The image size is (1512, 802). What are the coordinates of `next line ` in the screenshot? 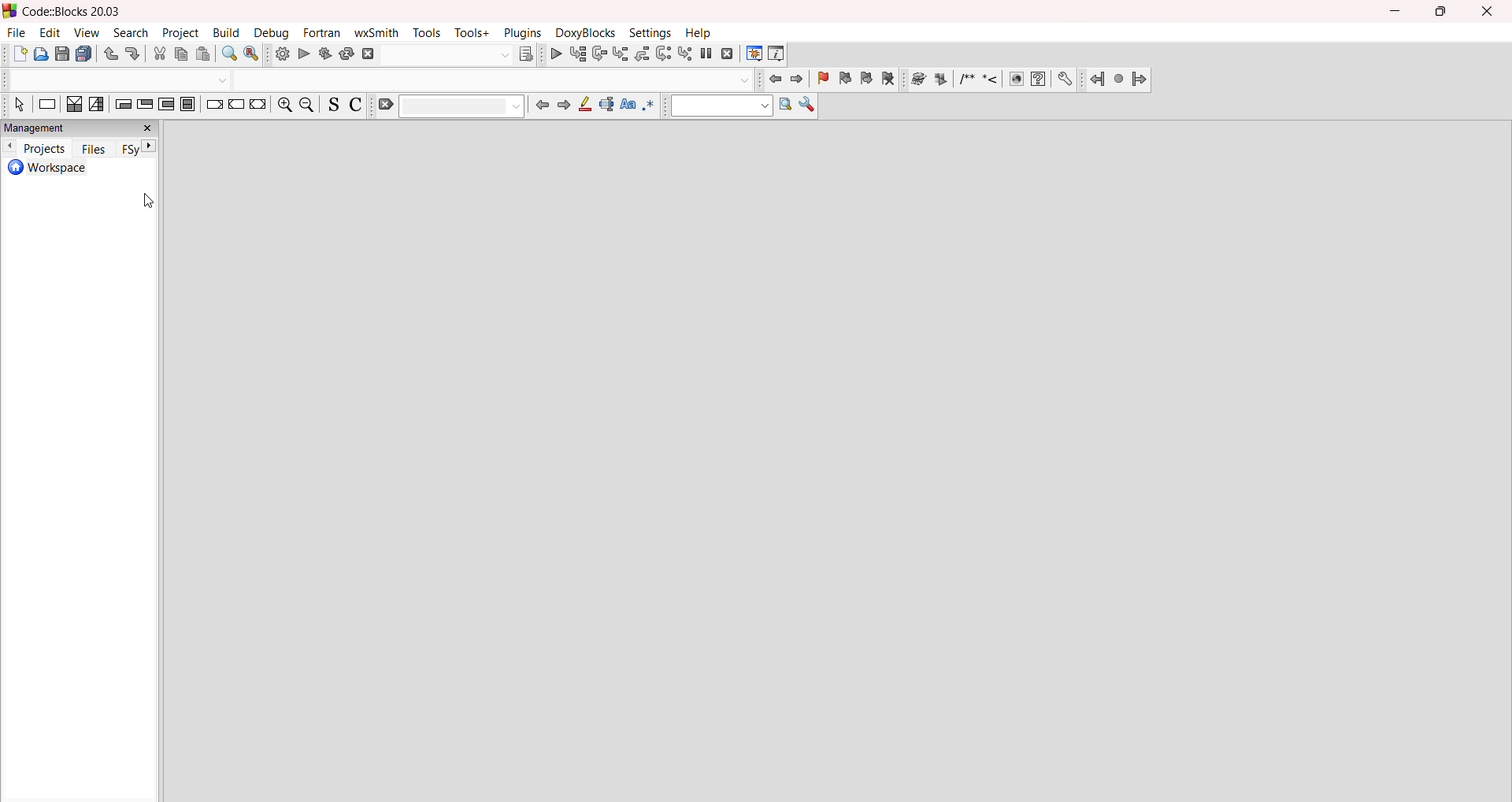 It's located at (598, 54).